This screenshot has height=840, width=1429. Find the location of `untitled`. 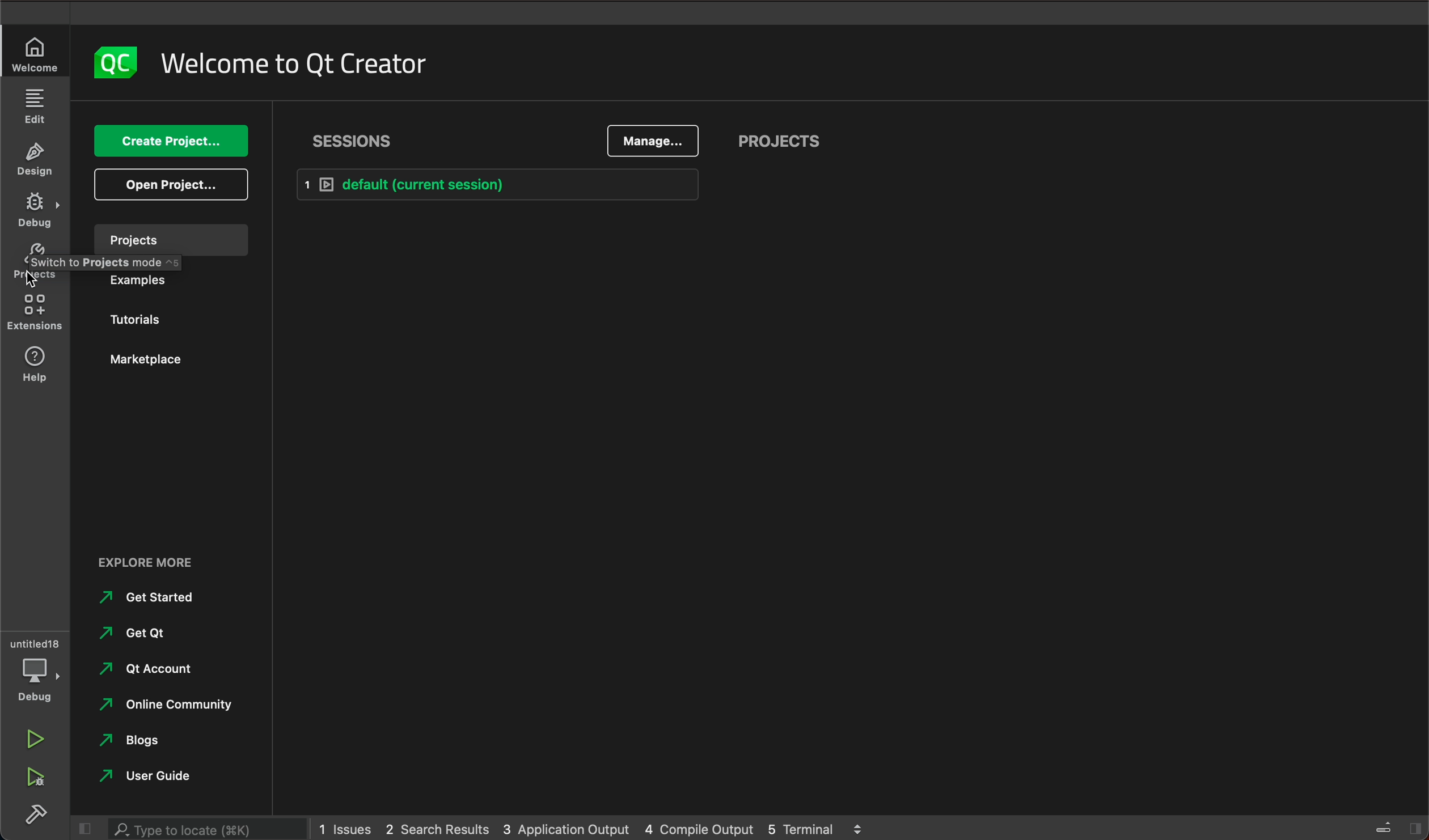

untitled is located at coordinates (35, 644).